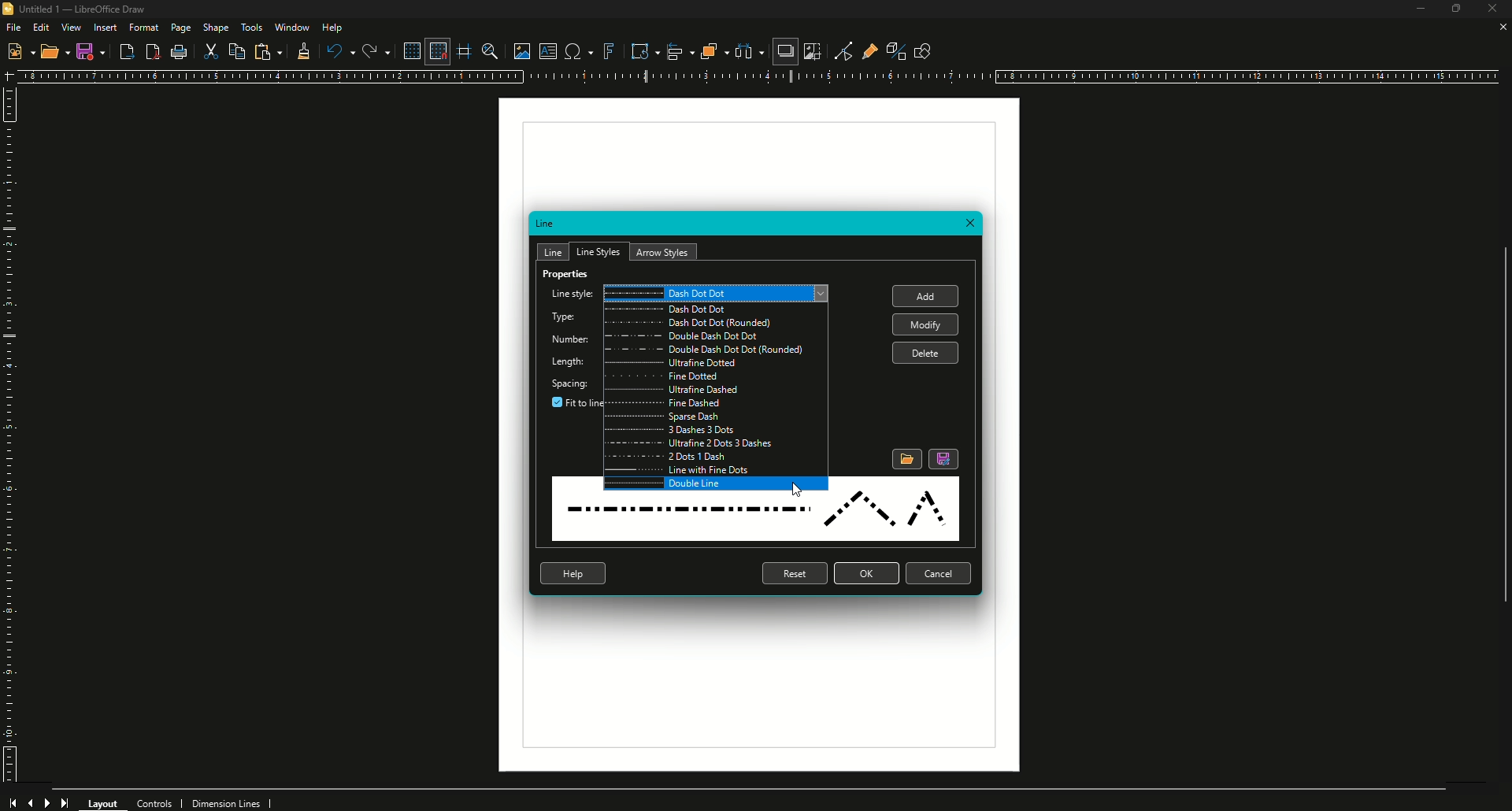  I want to click on Arrange, so click(709, 51).